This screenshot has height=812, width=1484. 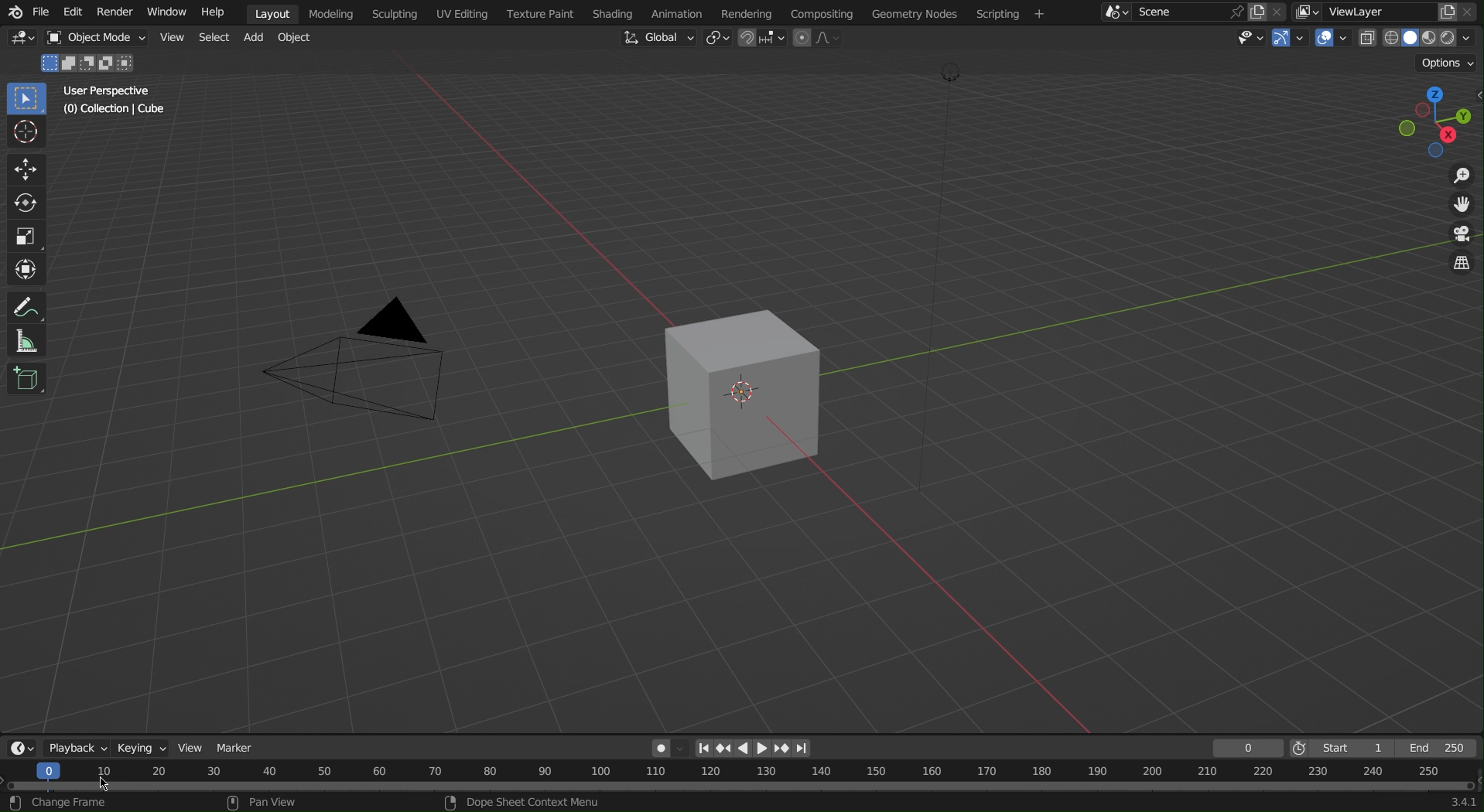 What do you see at coordinates (675, 11) in the screenshot?
I see `Animation` at bounding box center [675, 11].